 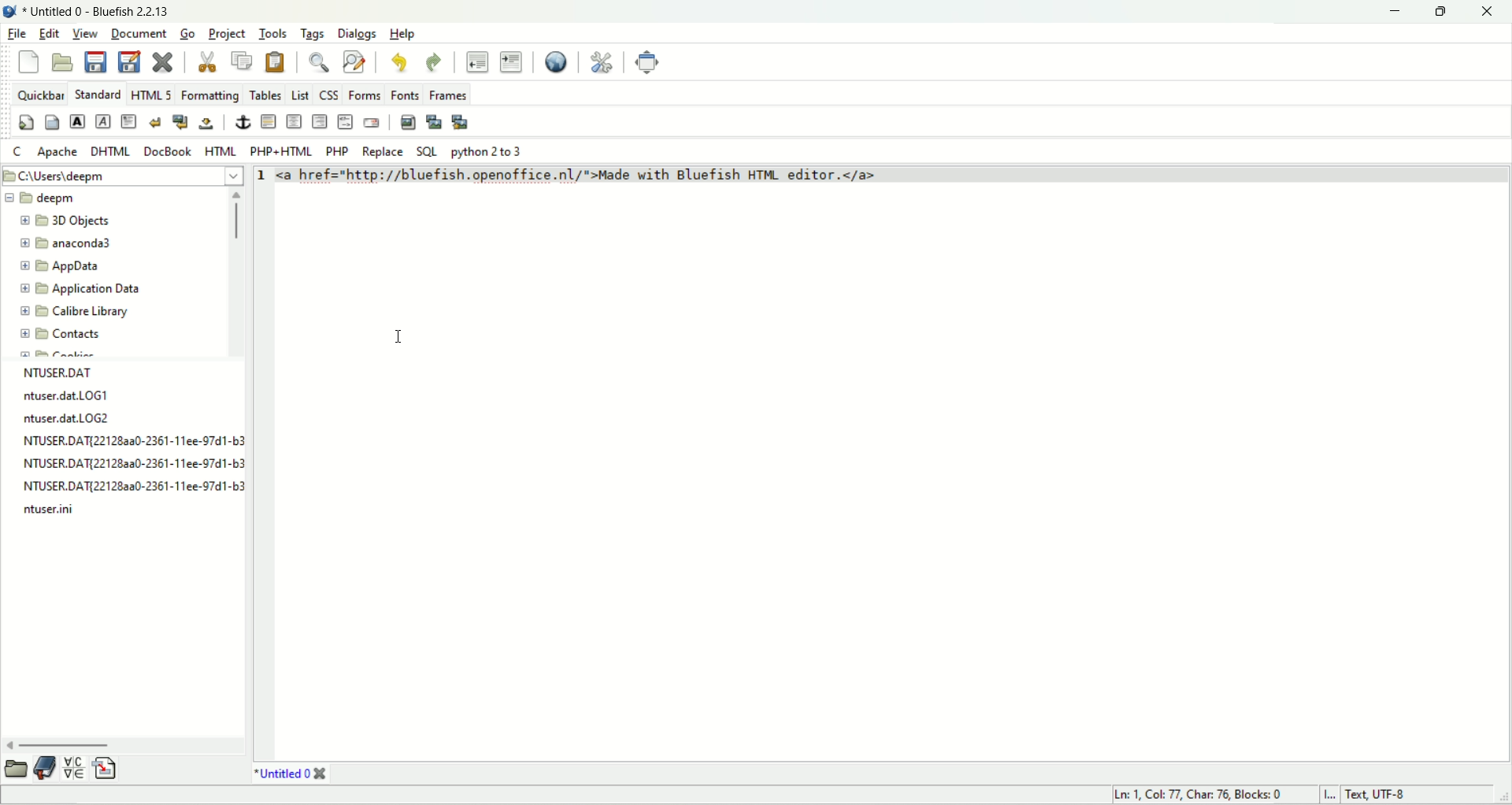 I want to click on project, so click(x=226, y=33).